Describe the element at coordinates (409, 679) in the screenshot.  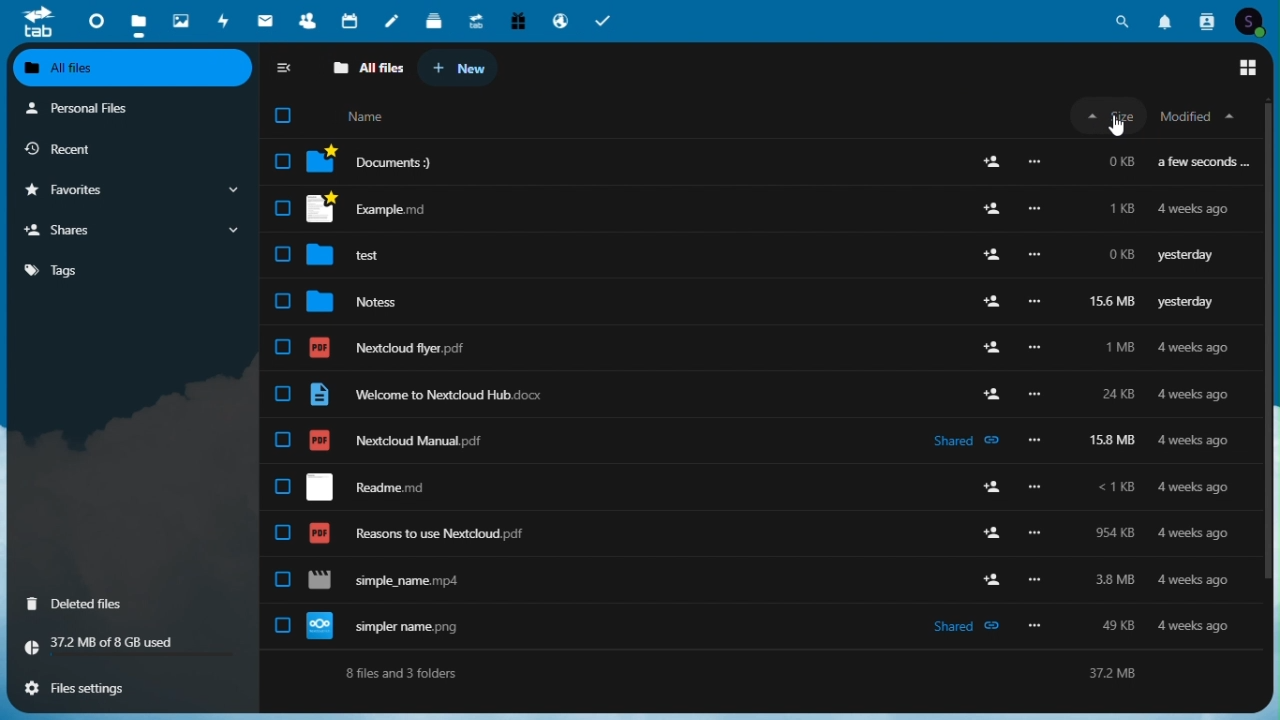
I see `8 files and 3 folders.` at that location.